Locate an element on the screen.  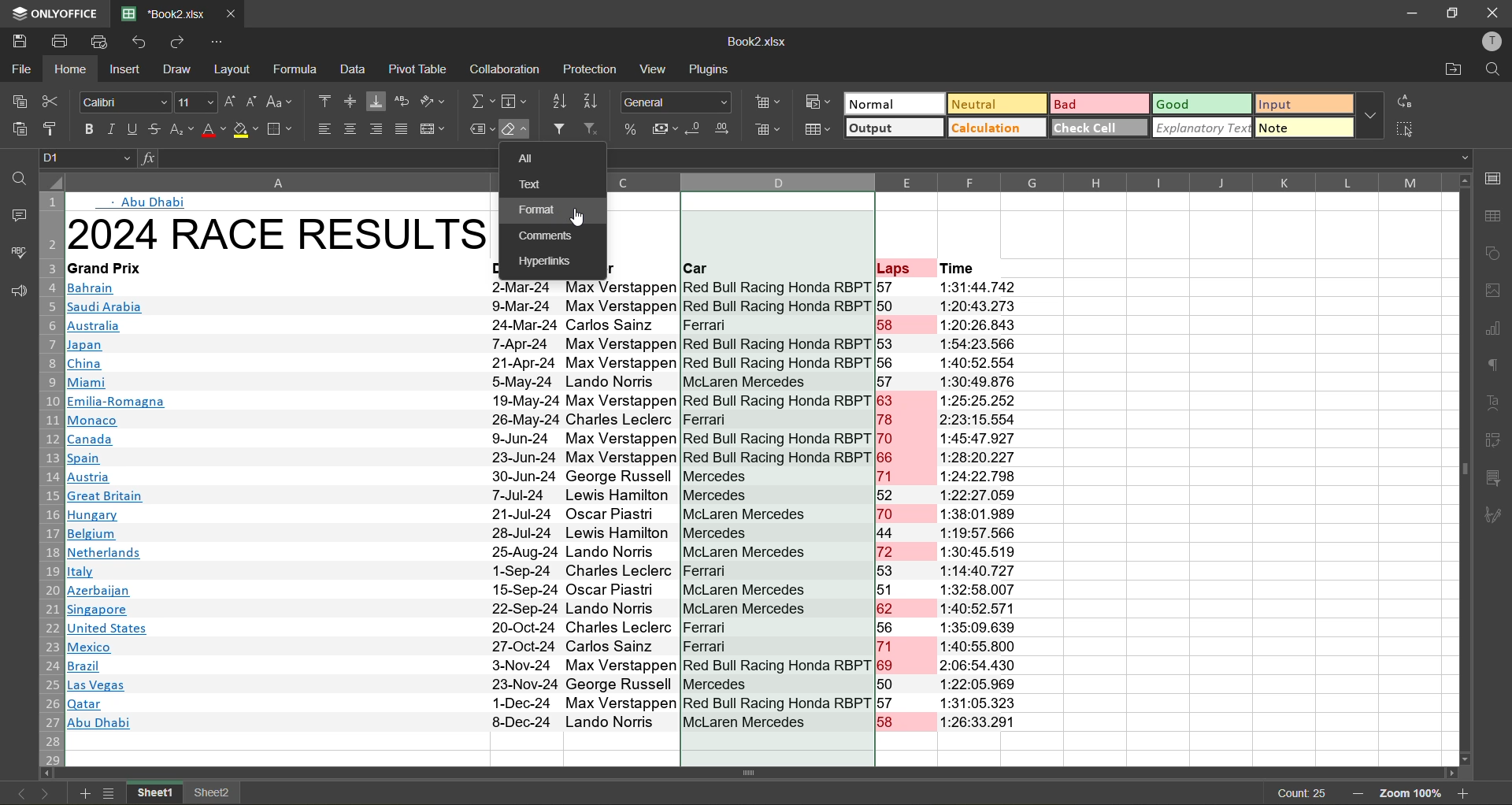
United States 20-Oct-24 Charles Leclerc Ferrari 56 1:35:09.639 is located at coordinates (549, 627).